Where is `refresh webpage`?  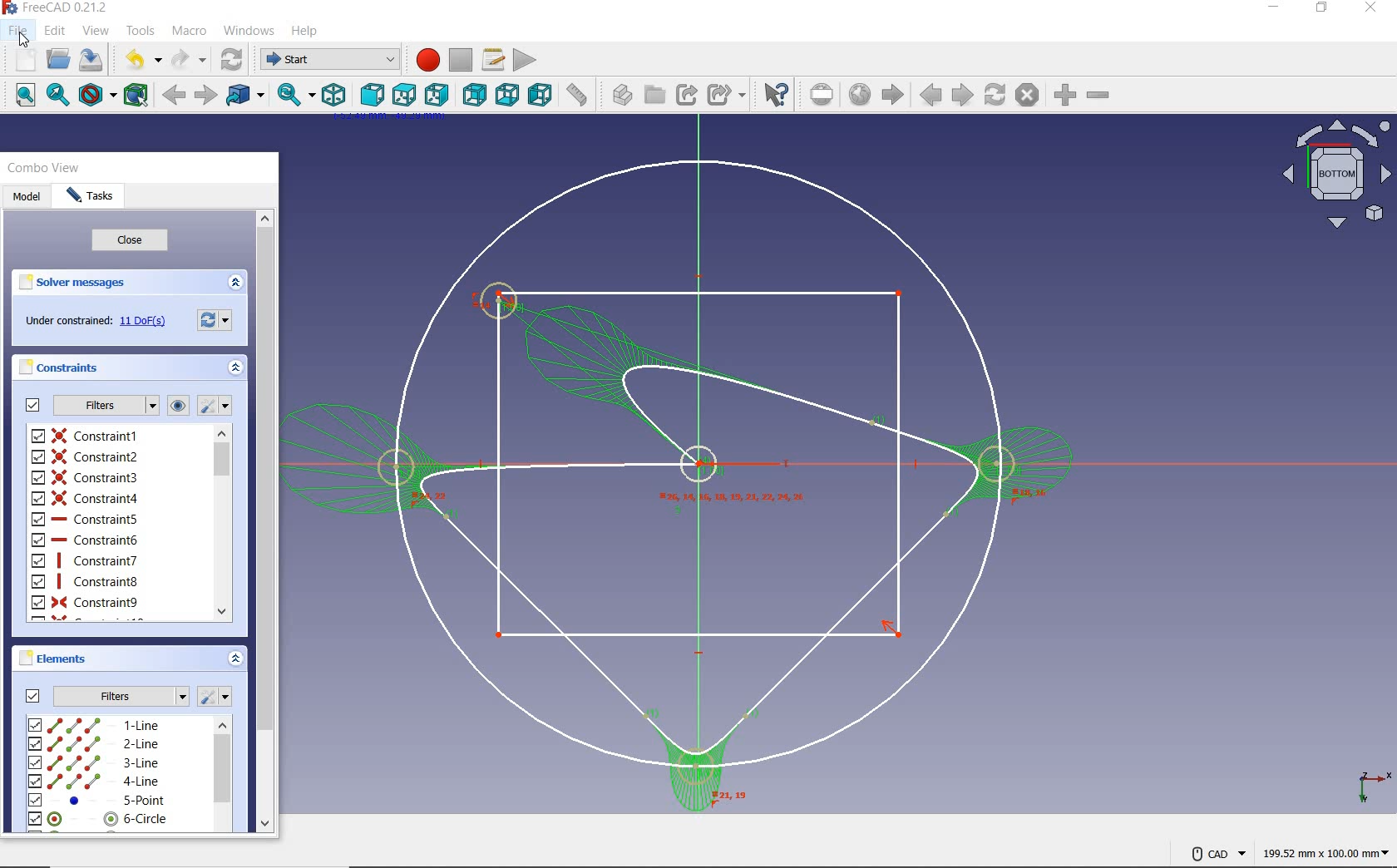 refresh webpage is located at coordinates (996, 96).